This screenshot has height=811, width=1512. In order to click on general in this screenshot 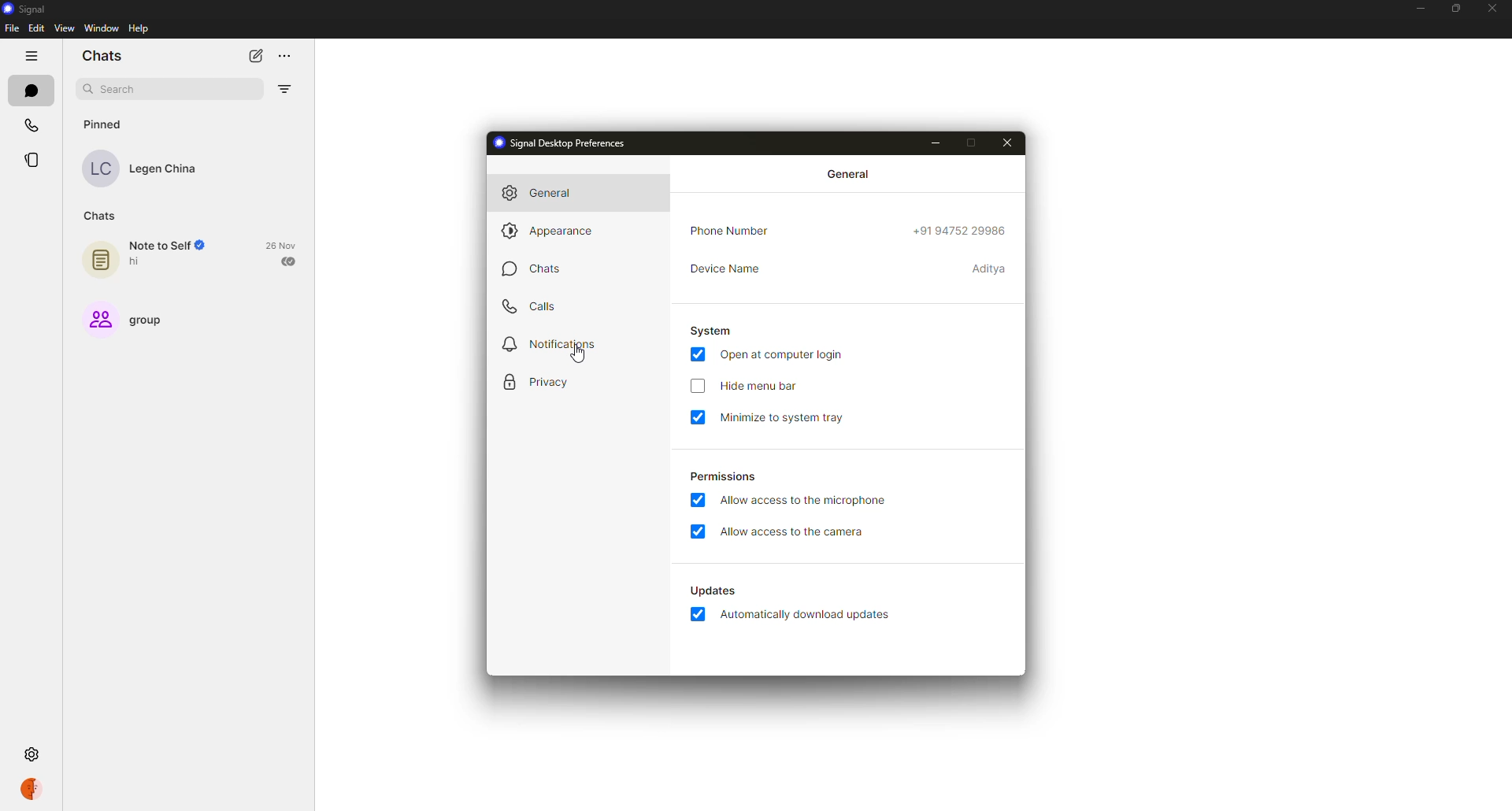, I will do `click(850, 173)`.